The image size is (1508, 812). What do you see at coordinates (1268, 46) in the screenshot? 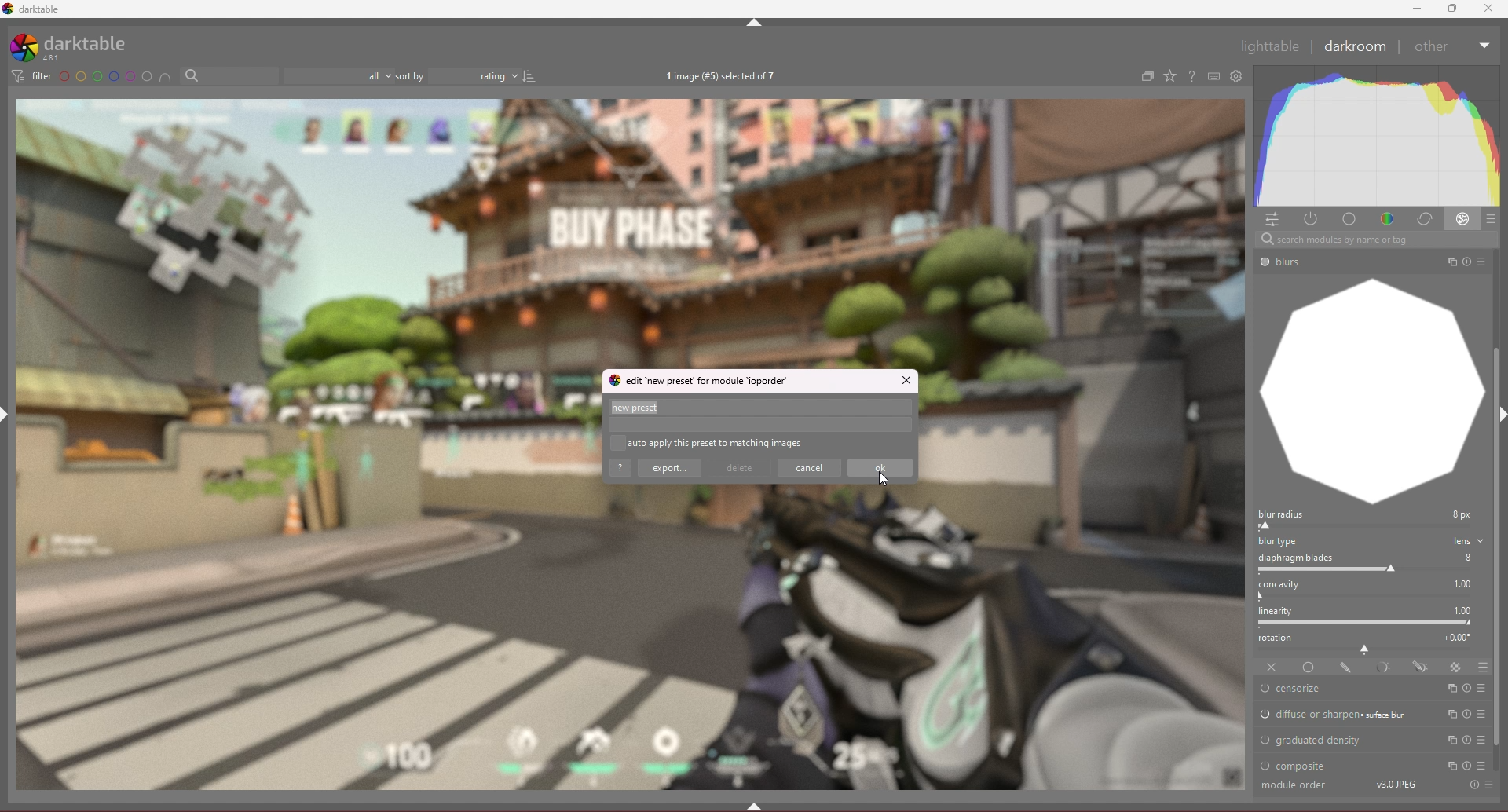
I see `` at bounding box center [1268, 46].